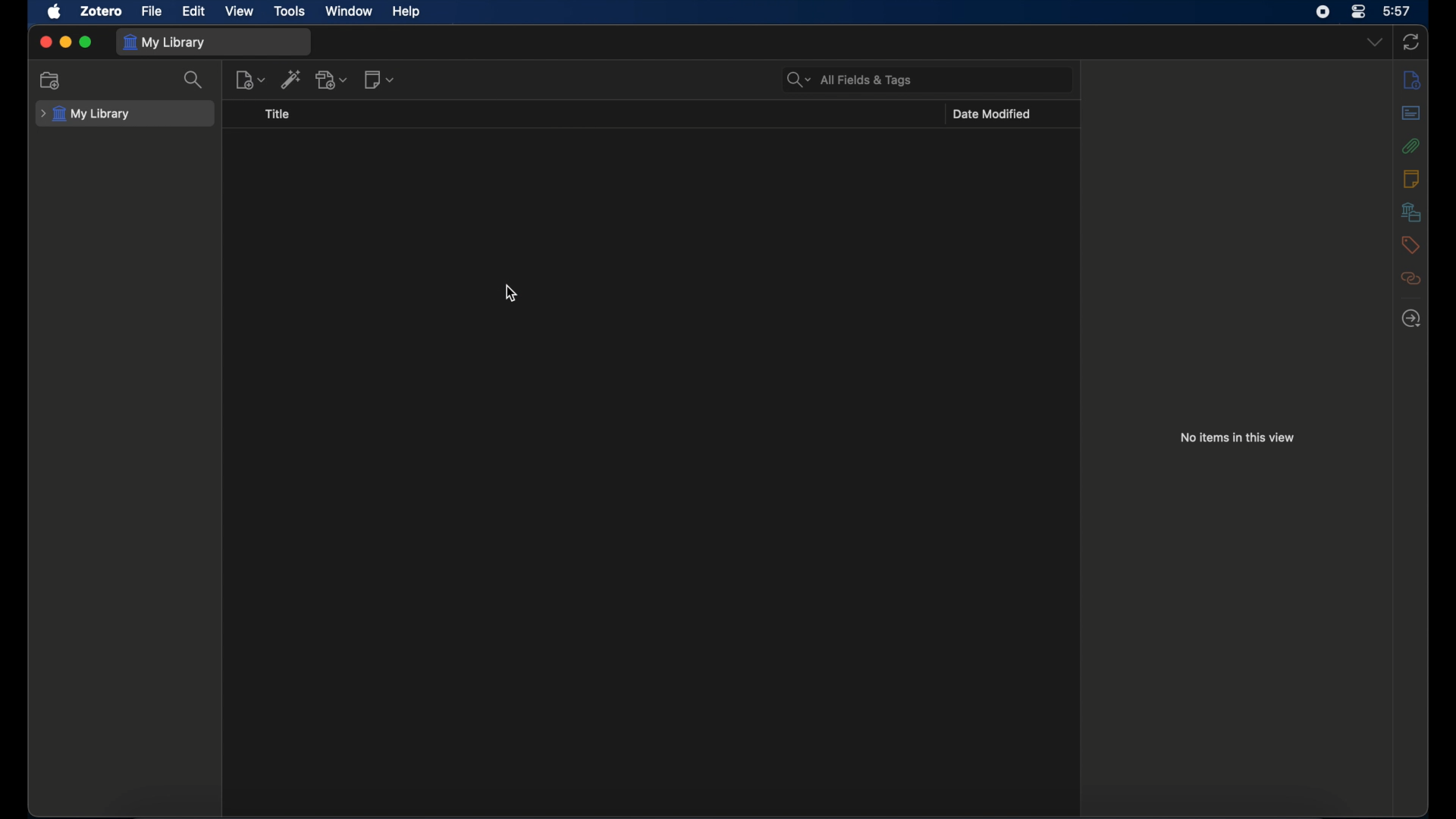  I want to click on view, so click(238, 11).